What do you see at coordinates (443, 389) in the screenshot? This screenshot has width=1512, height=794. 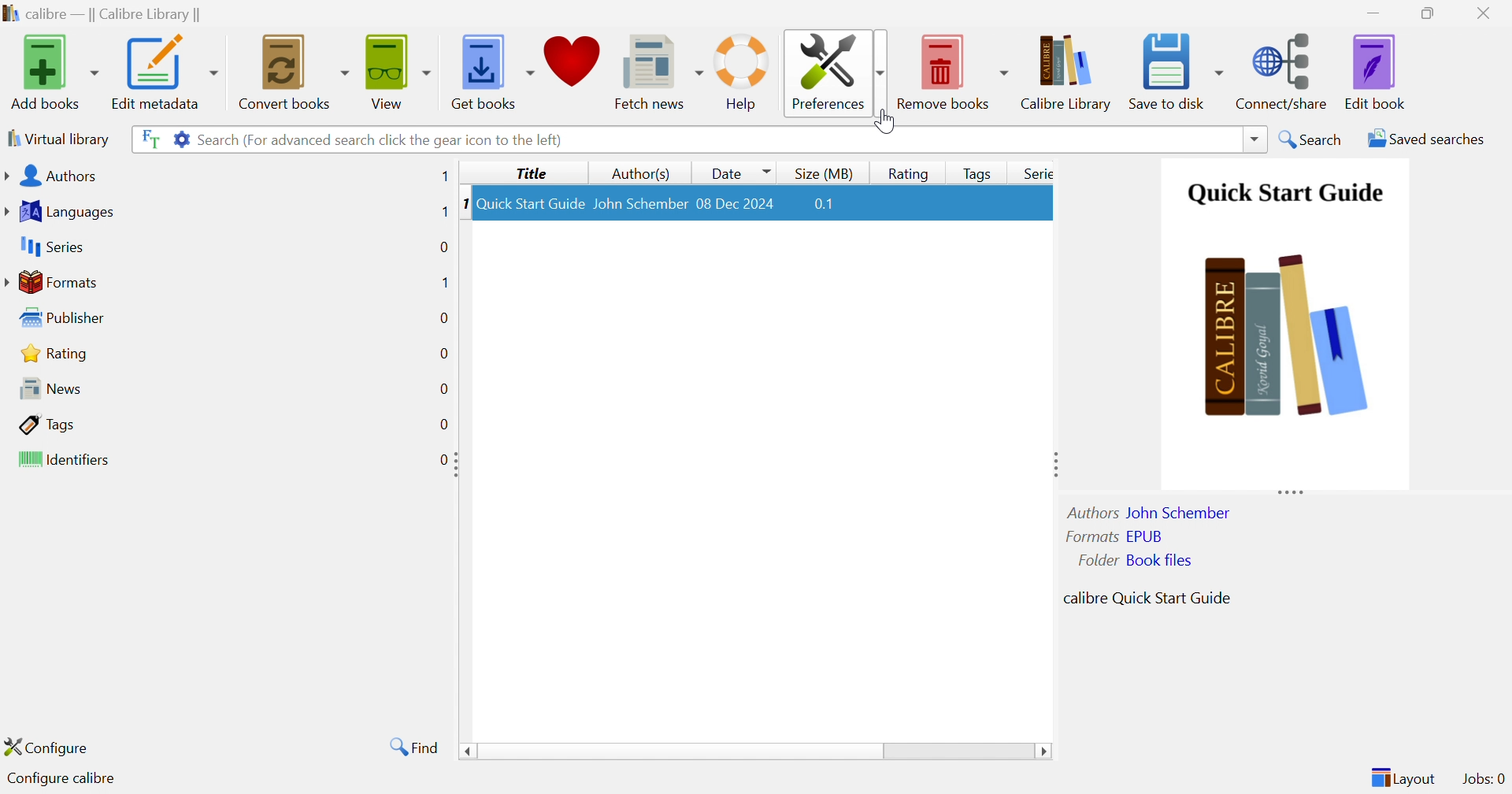 I see `0` at bounding box center [443, 389].